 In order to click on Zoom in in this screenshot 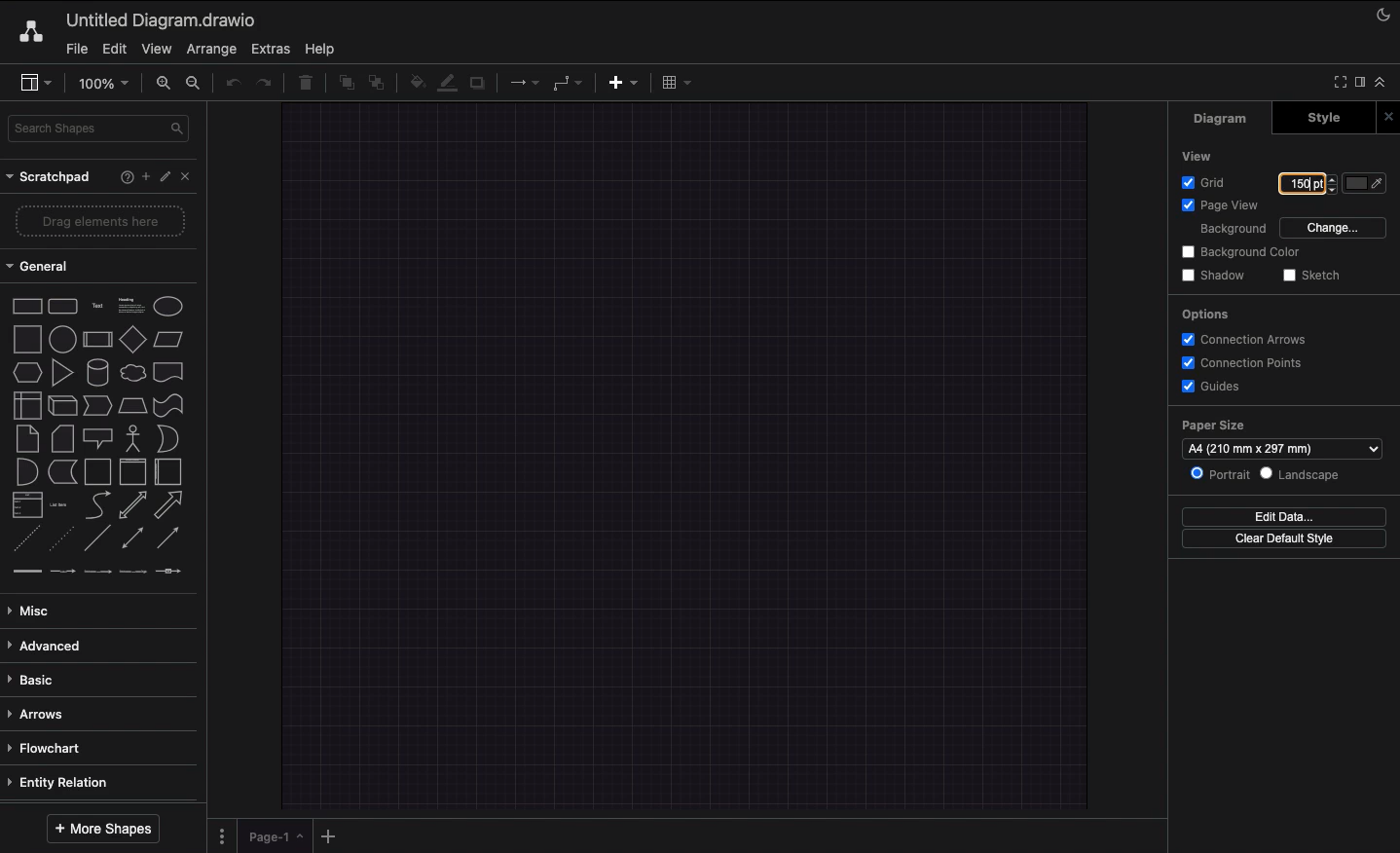, I will do `click(162, 83)`.